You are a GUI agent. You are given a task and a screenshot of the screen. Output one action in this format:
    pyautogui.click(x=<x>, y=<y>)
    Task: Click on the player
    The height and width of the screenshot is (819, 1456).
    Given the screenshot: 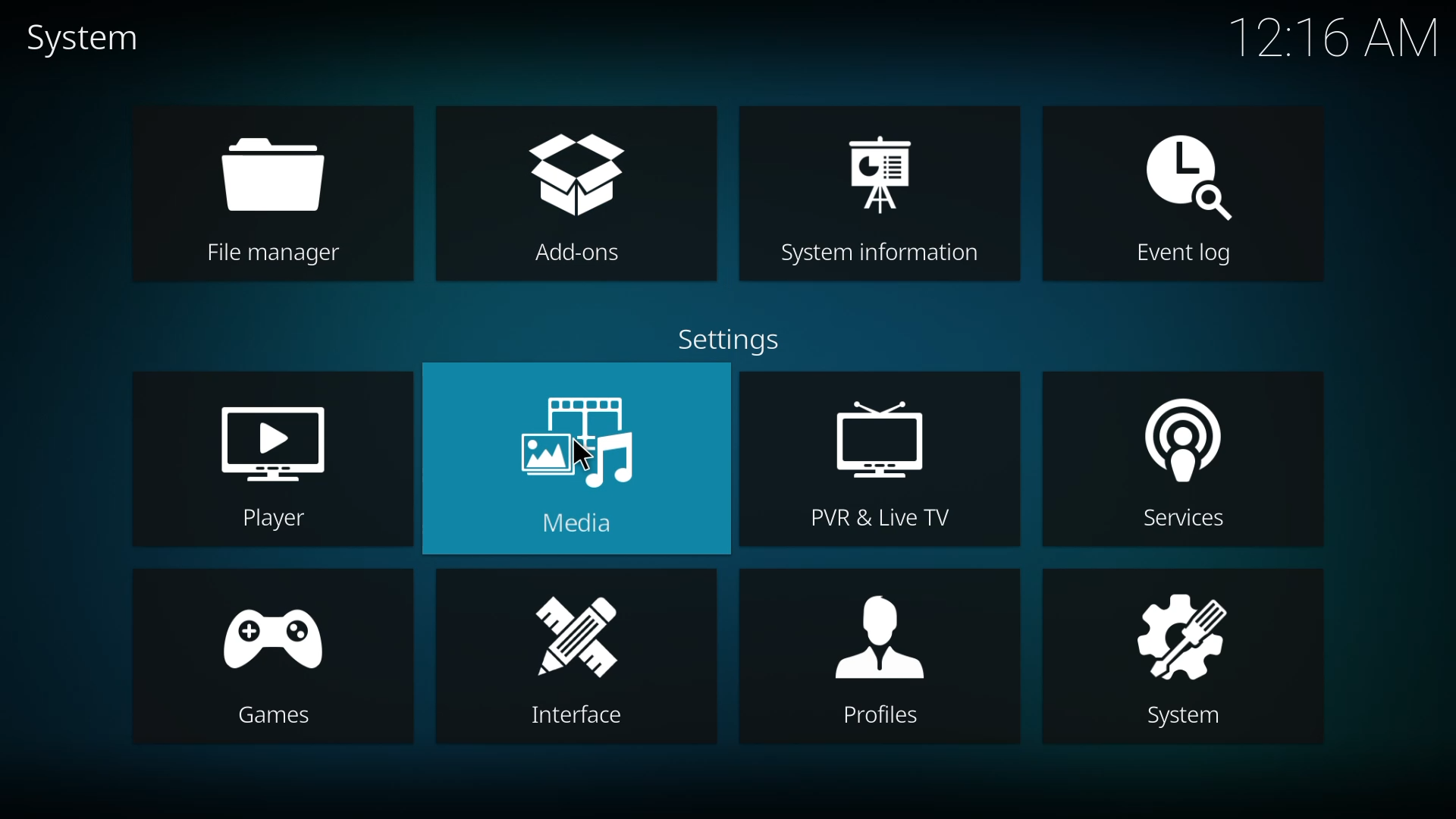 What is the action you would take?
    pyautogui.click(x=279, y=439)
    